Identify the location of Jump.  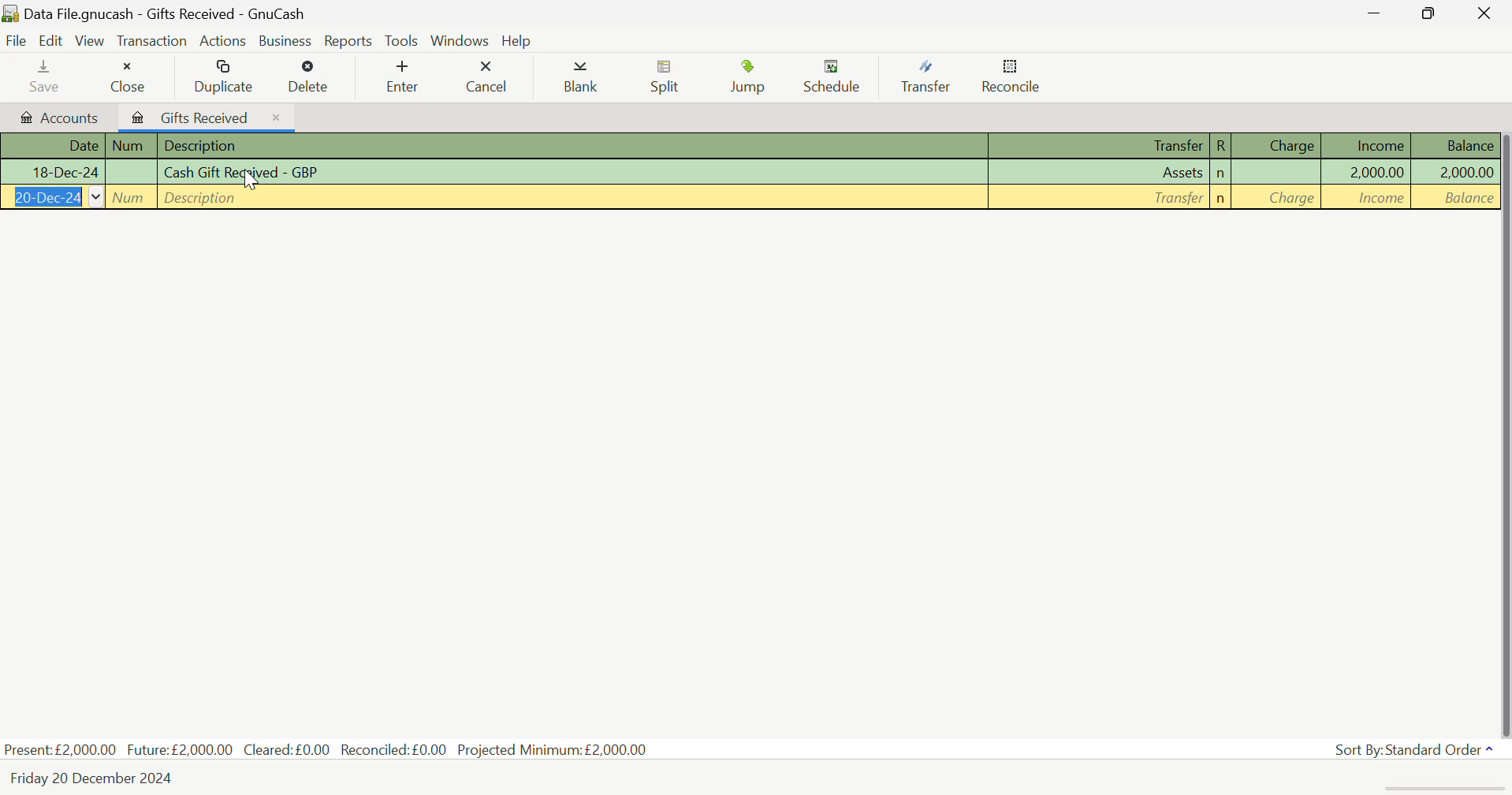
(753, 77).